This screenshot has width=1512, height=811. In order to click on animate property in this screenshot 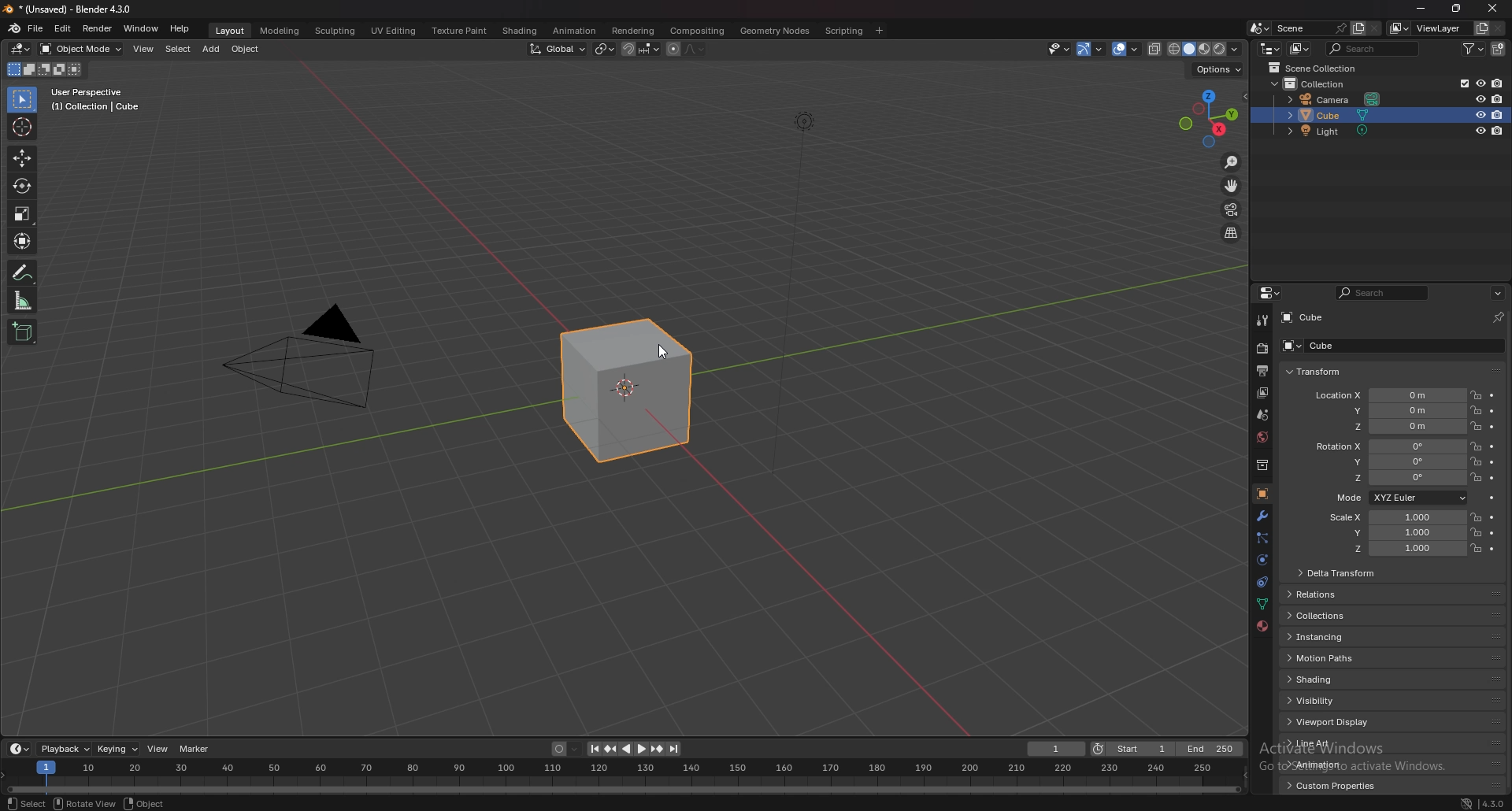, I will do `click(1491, 497)`.